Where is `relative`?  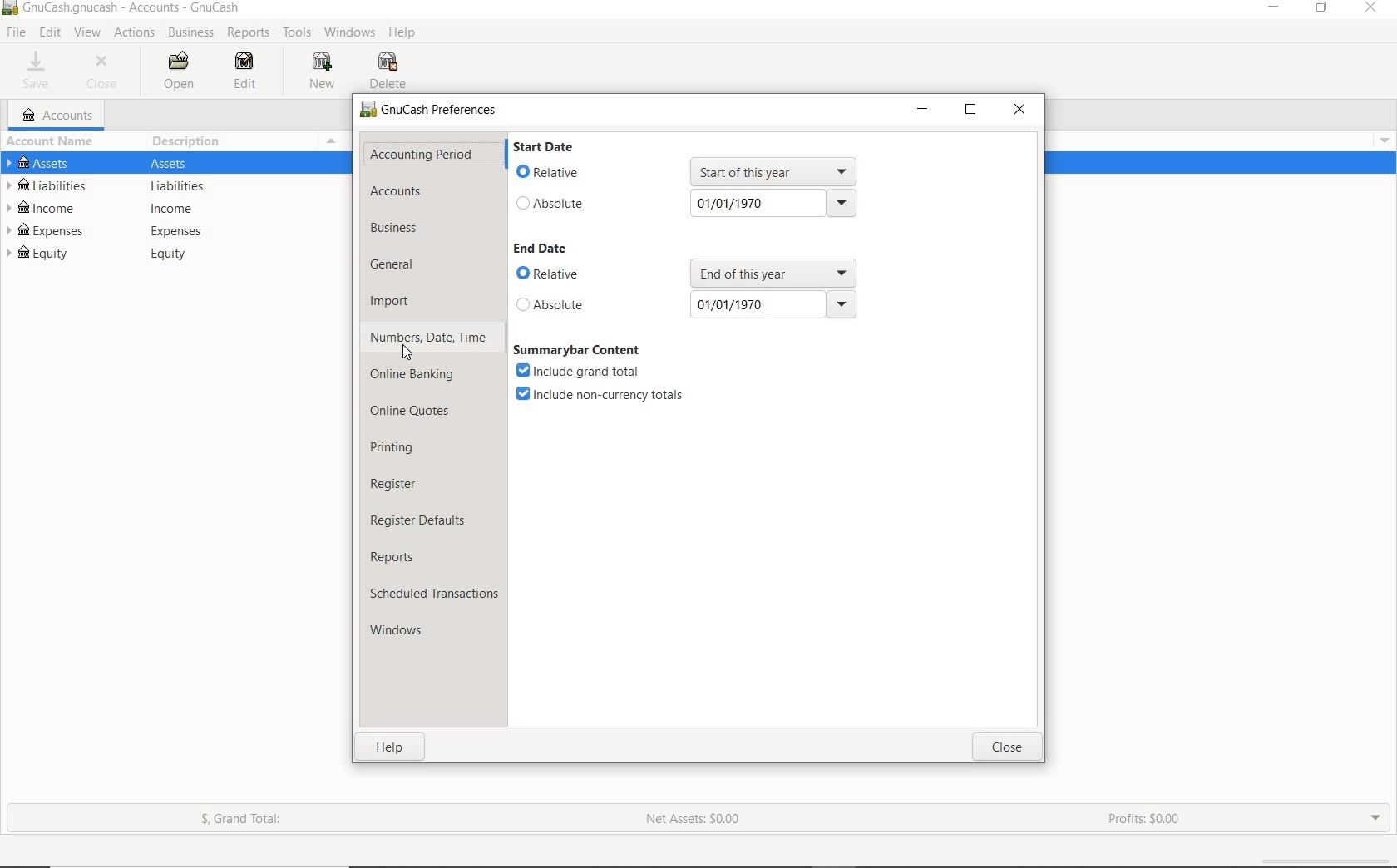
relative is located at coordinates (552, 175).